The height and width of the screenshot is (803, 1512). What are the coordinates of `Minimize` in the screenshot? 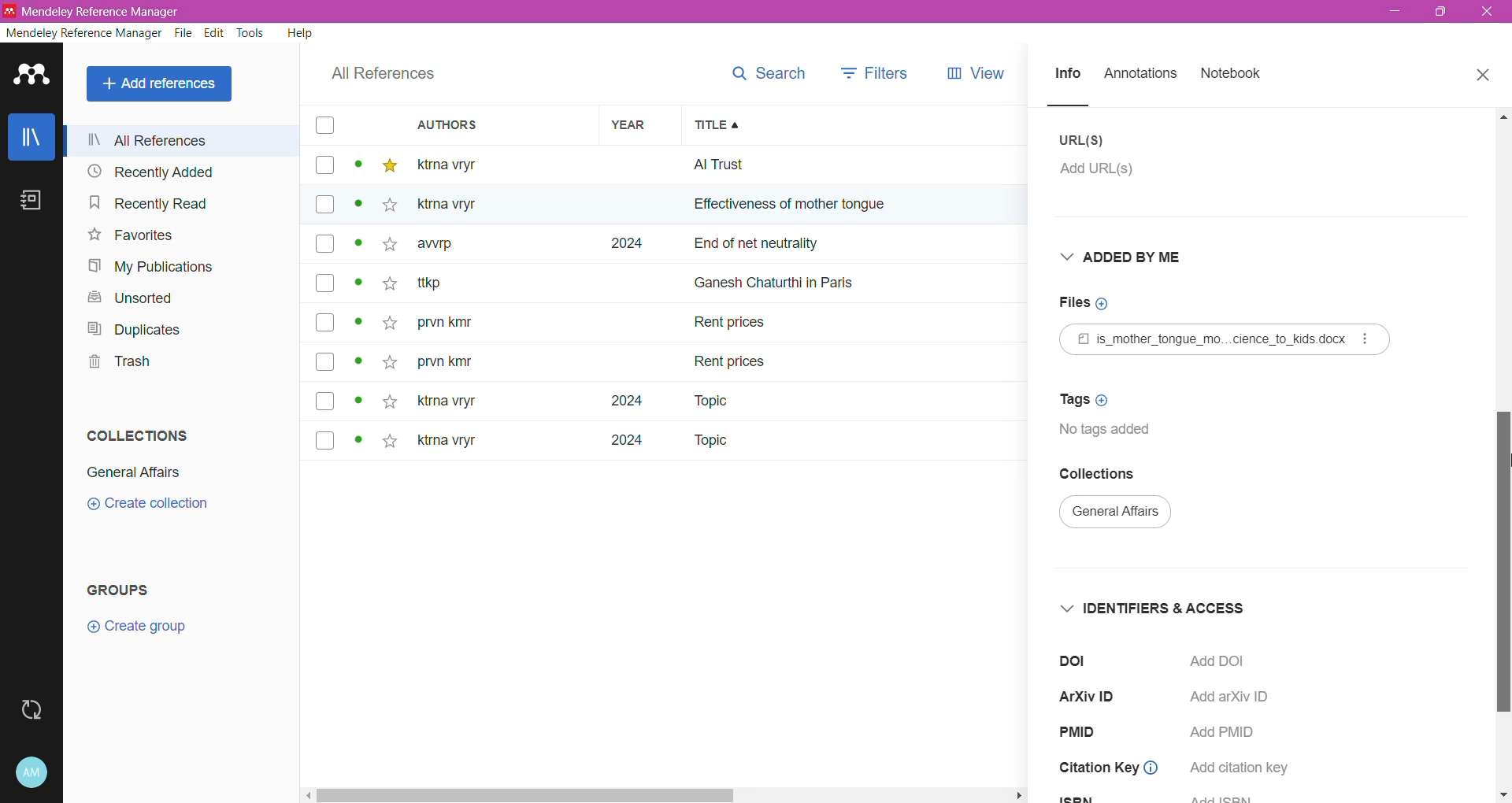 It's located at (1397, 12).